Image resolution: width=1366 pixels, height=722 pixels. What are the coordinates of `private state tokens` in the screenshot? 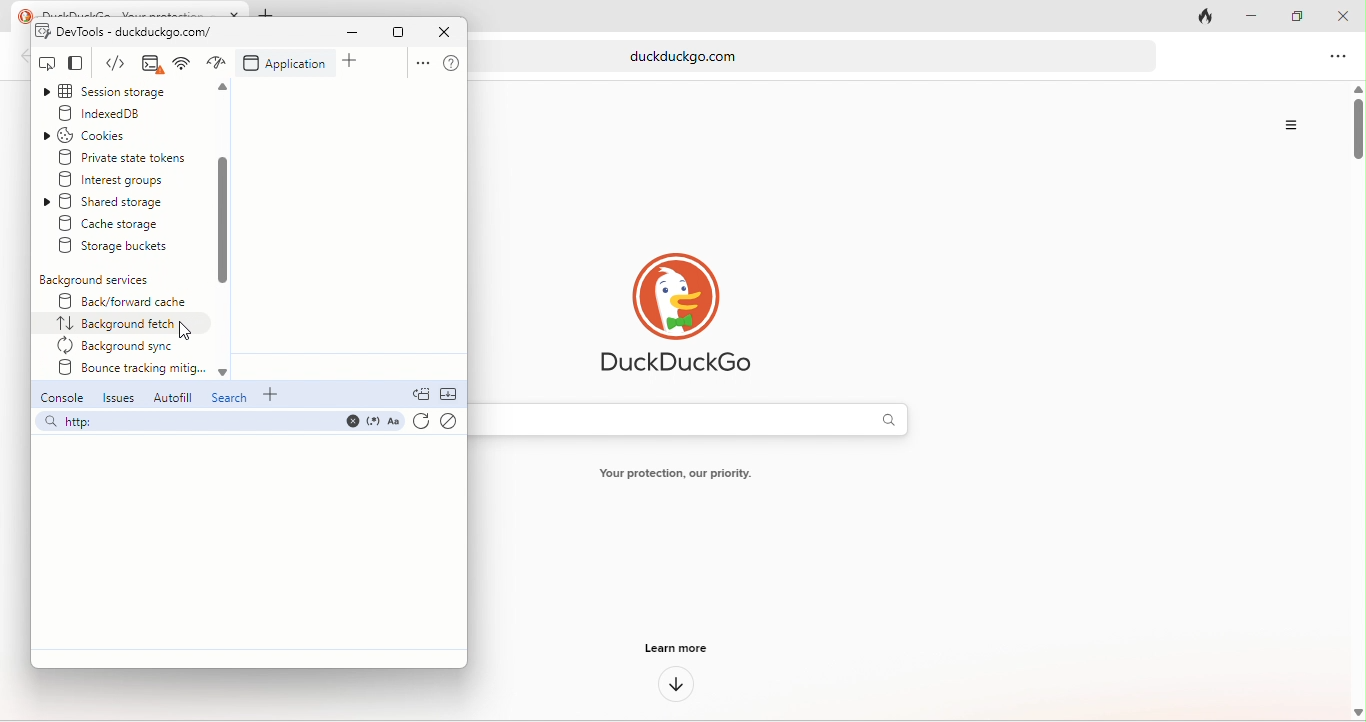 It's located at (123, 156).